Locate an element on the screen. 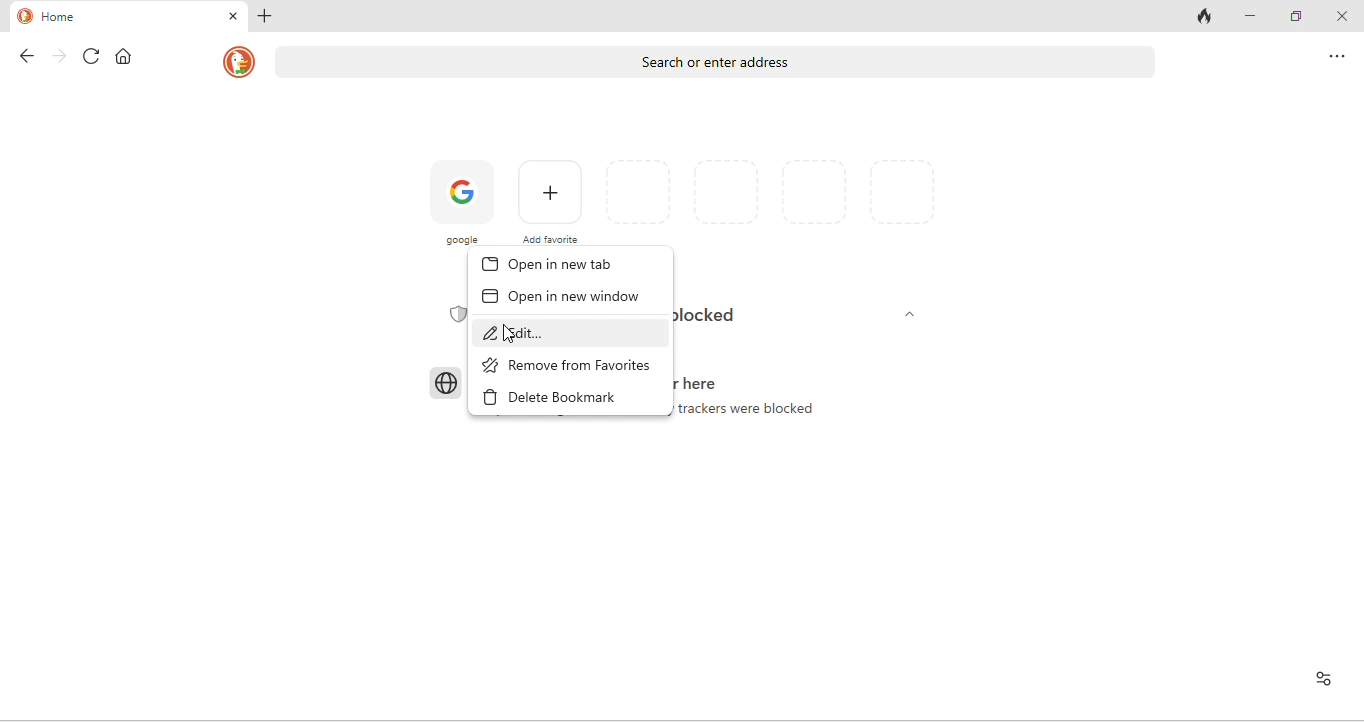  option is located at coordinates (1336, 60).